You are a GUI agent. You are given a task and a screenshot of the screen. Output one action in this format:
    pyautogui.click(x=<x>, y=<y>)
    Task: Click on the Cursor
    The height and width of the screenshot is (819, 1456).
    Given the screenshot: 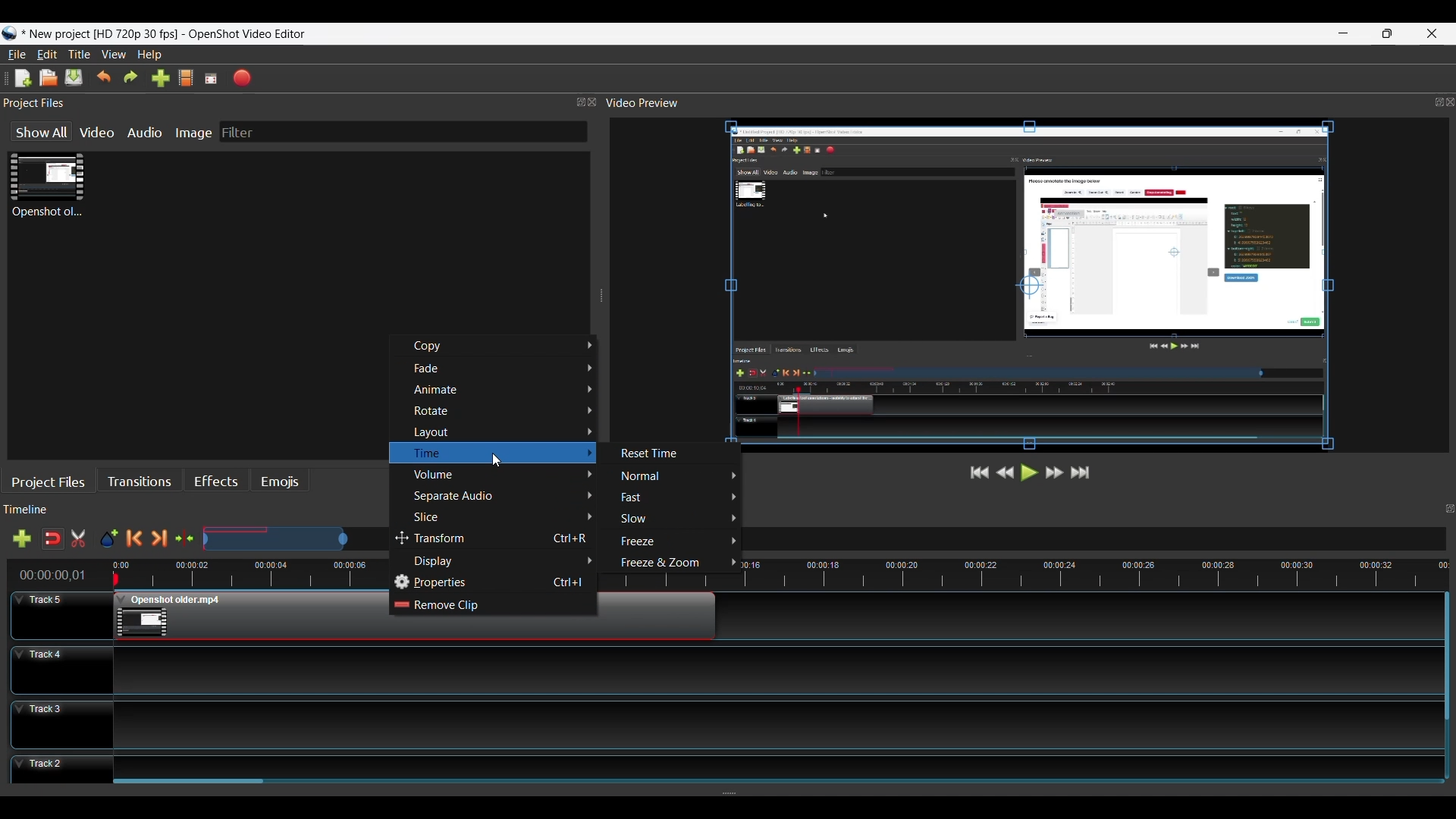 What is the action you would take?
    pyautogui.click(x=399, y=538)
    